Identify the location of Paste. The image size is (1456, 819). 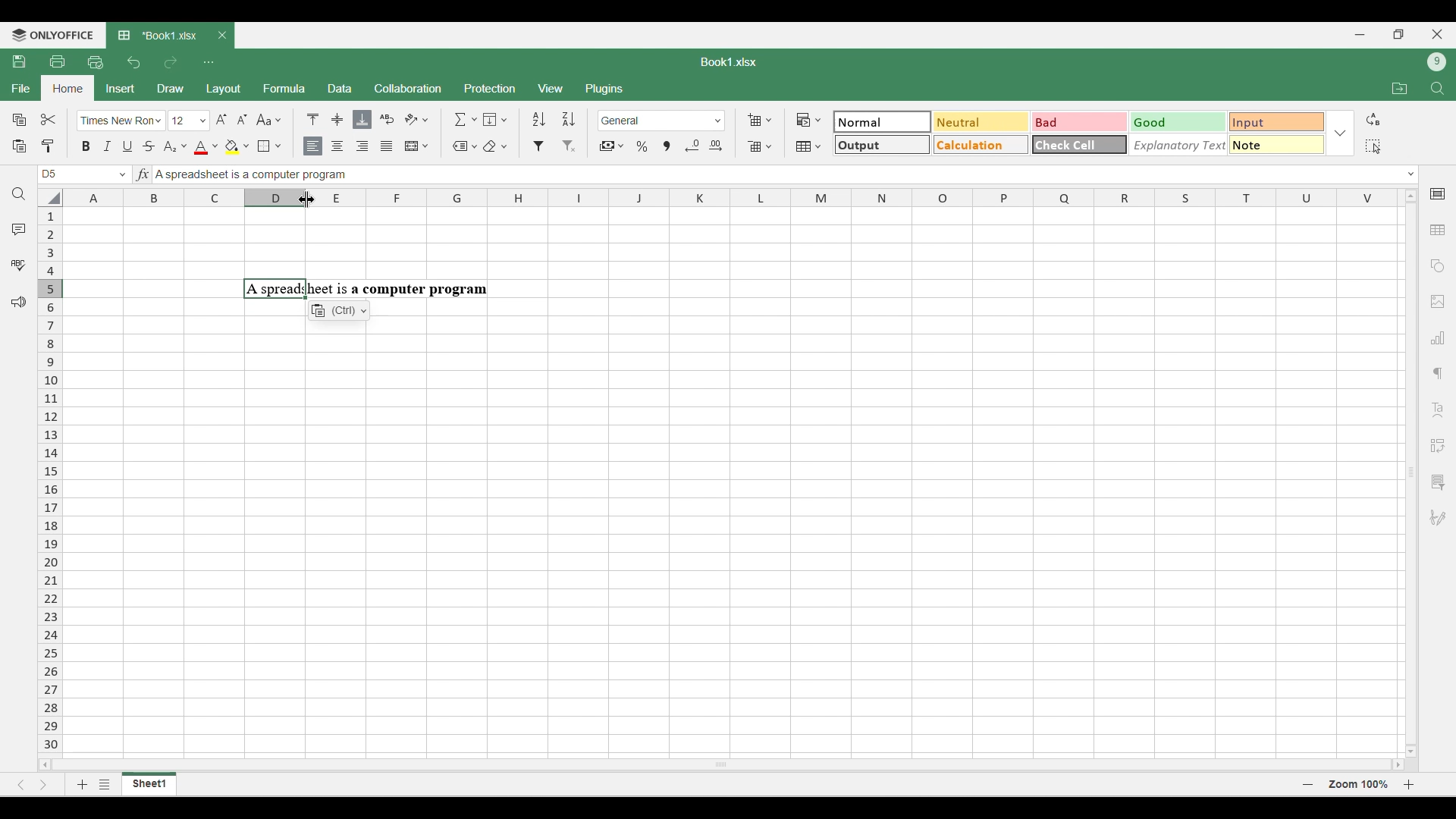
(18, 146).